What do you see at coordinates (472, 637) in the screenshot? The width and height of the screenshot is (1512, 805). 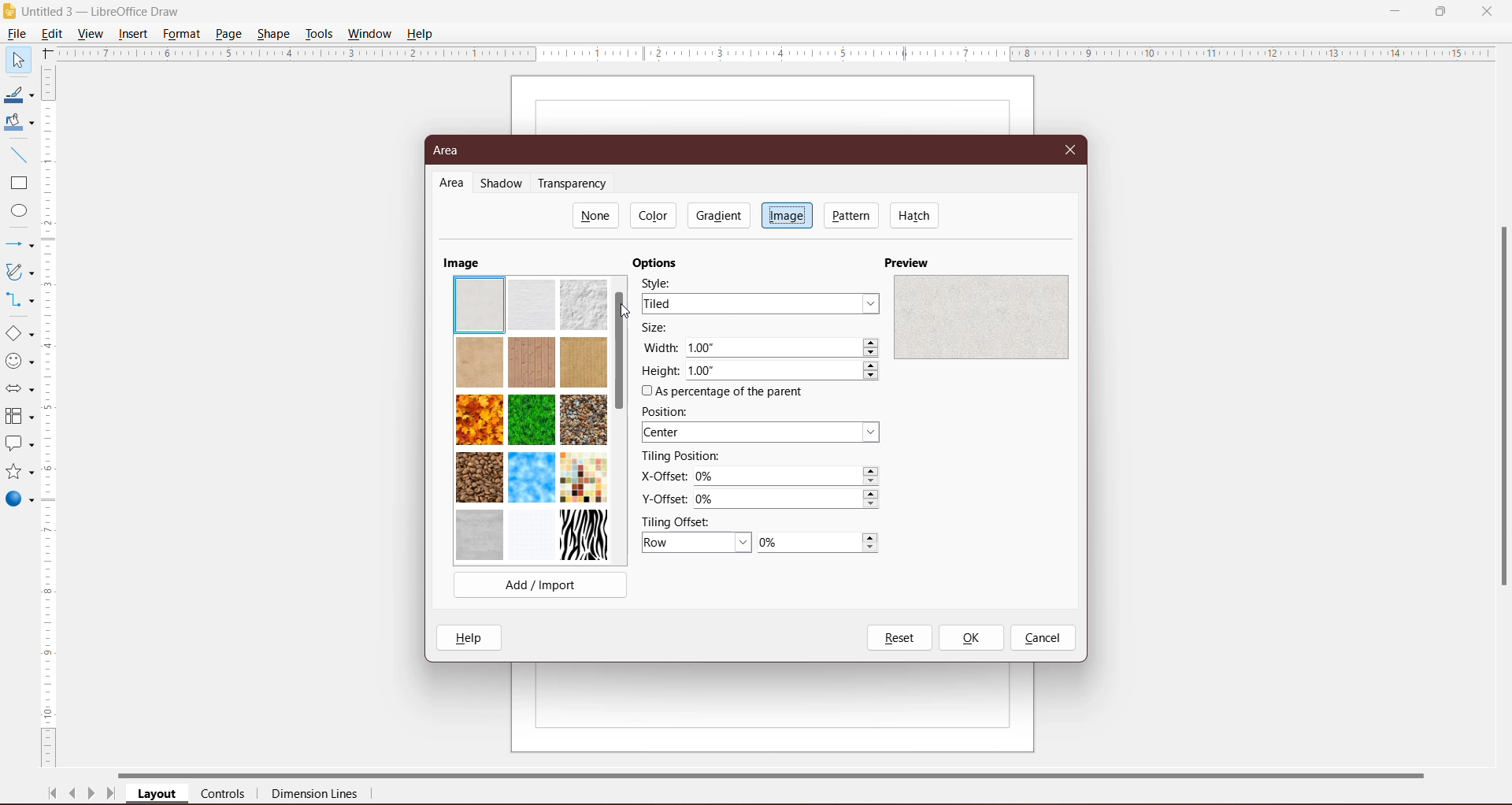 I see `Help` at bounding box center [472, 637].